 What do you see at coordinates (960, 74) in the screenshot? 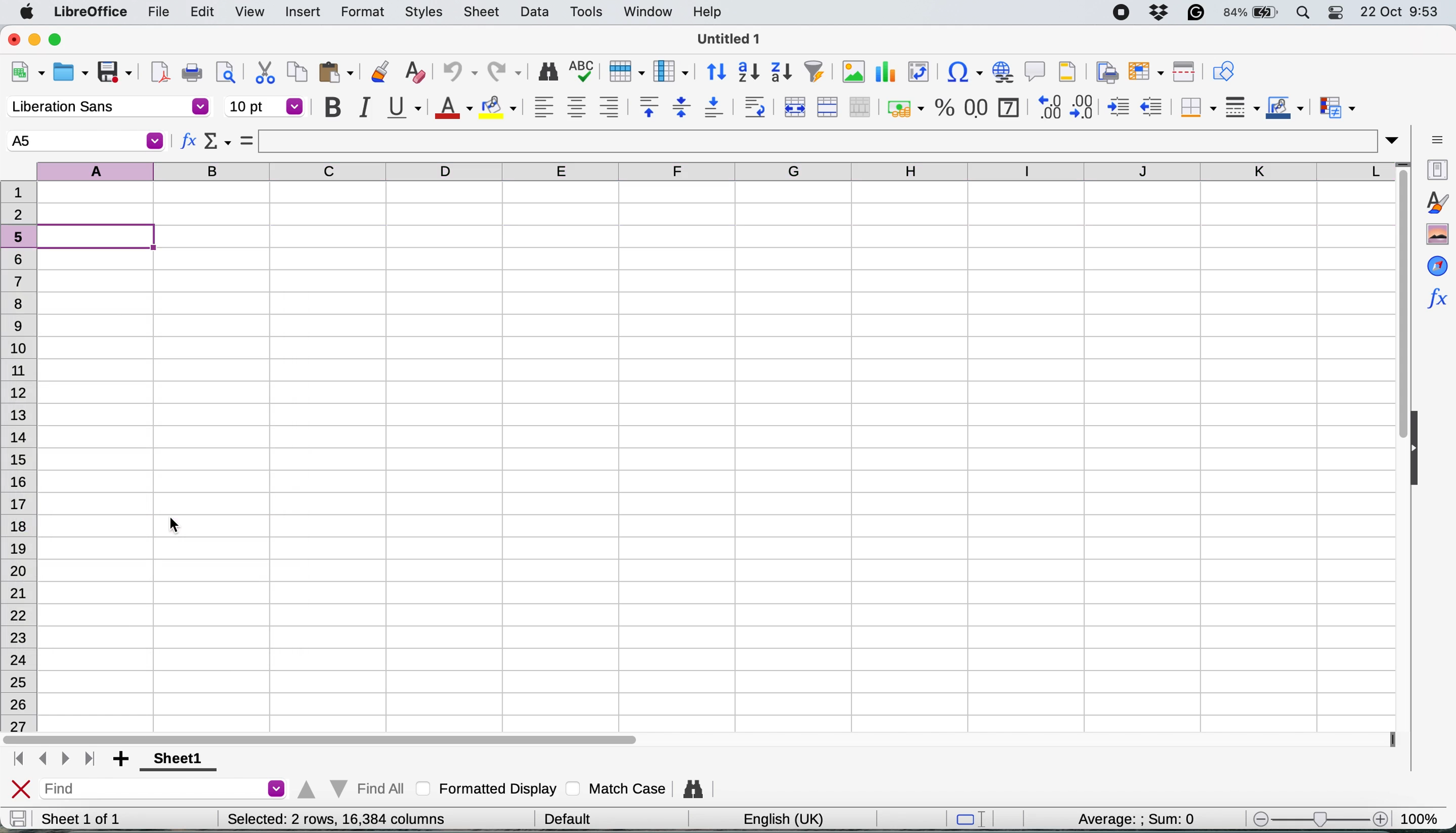
I see `insert hyperlink` at bounding box center [960, 74].